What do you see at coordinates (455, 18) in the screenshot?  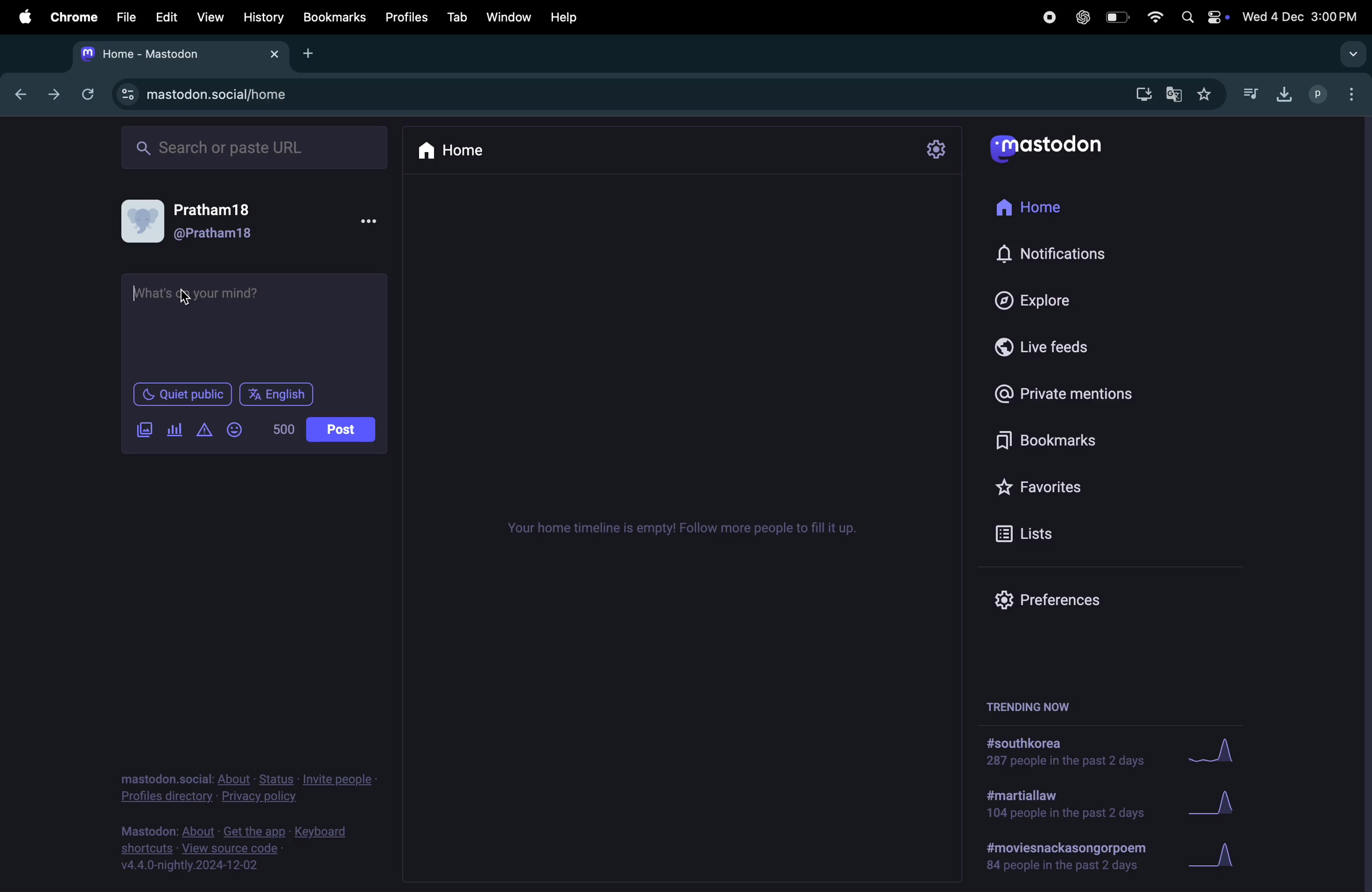 I see `tab` at bounding box center [455, 18].